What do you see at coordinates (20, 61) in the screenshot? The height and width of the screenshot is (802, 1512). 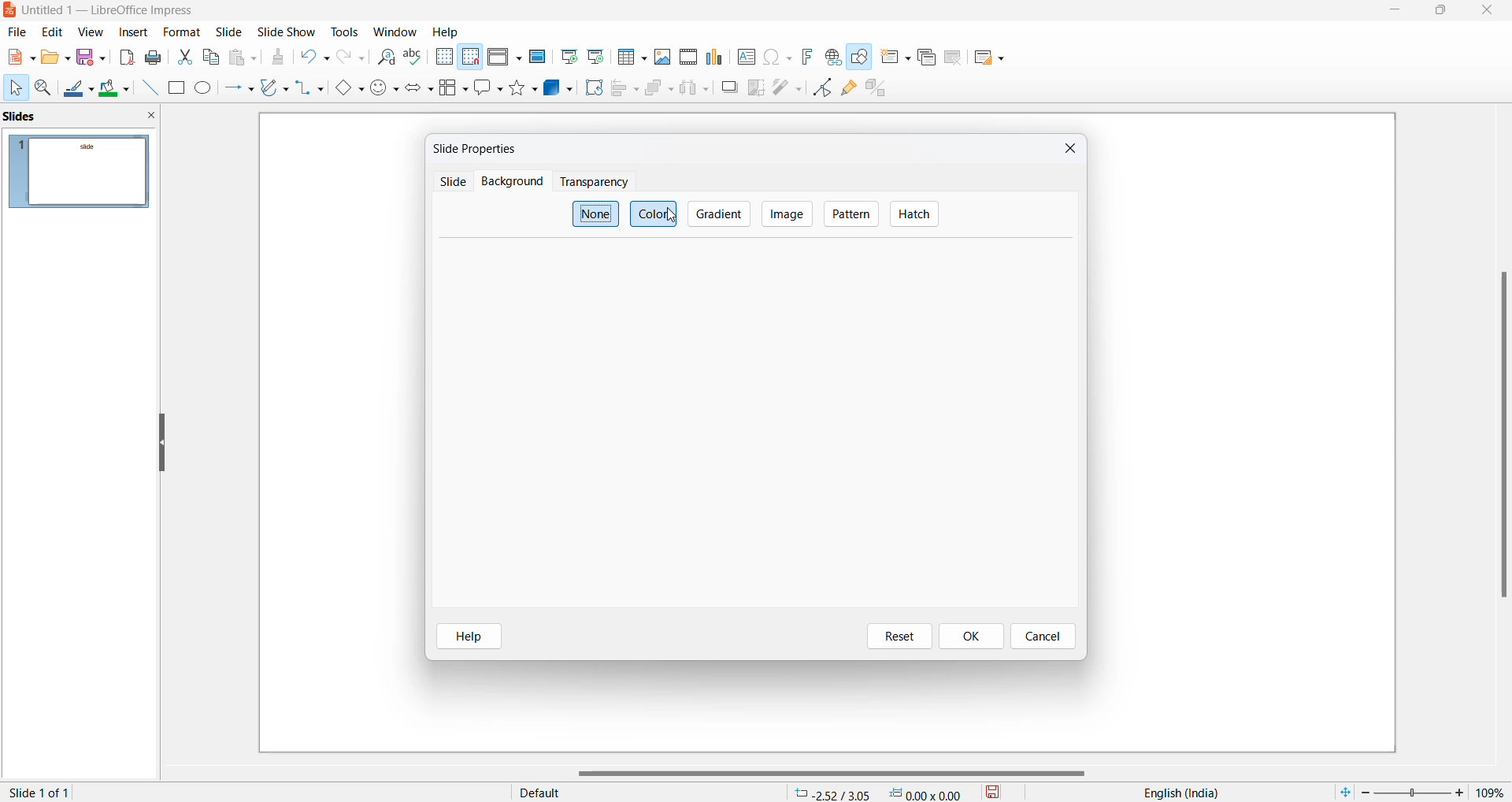 I see `new file` at bounding box center [20, 61].